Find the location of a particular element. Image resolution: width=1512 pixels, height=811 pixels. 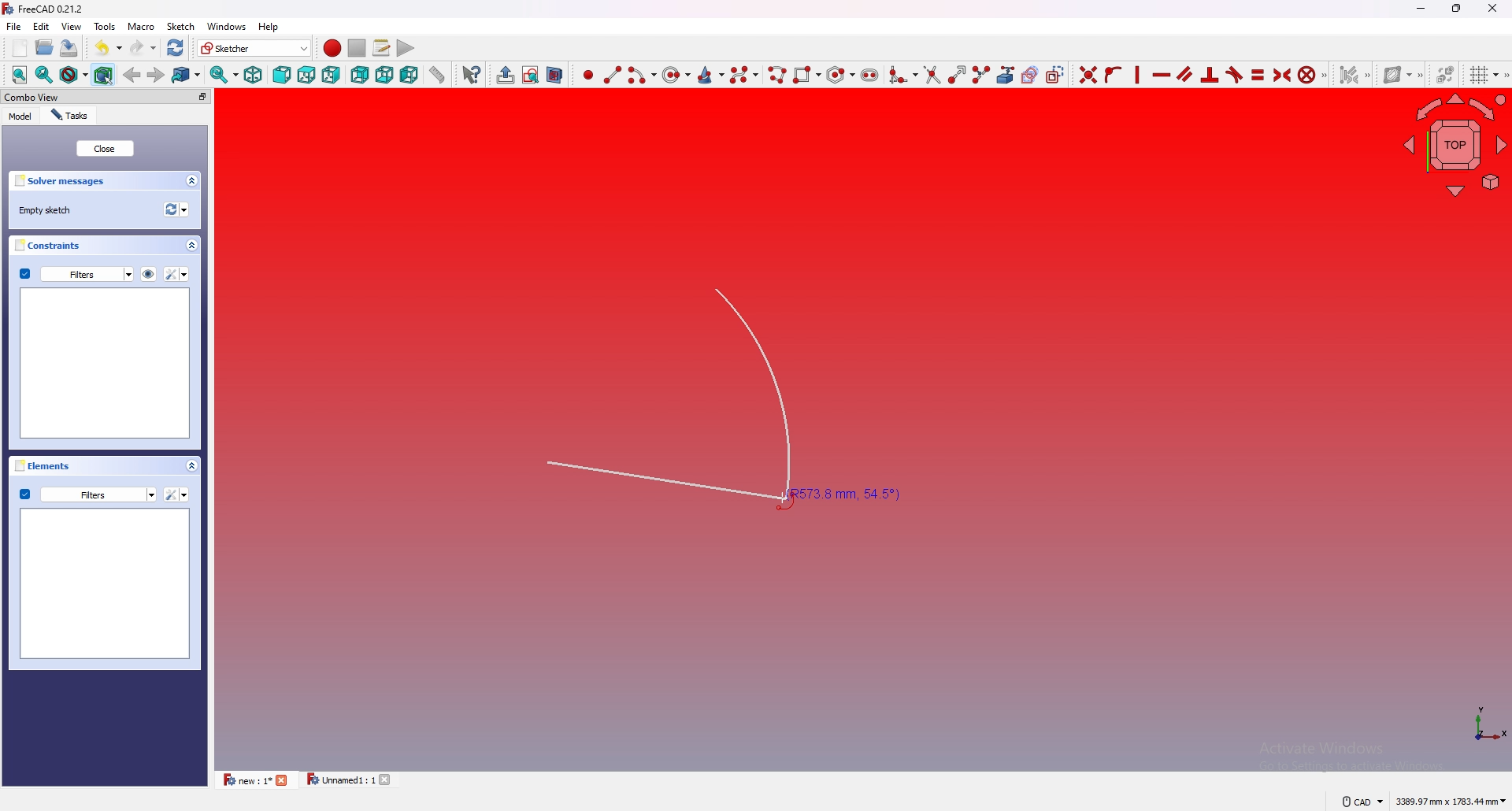

file is located at coordinates (14, 26).